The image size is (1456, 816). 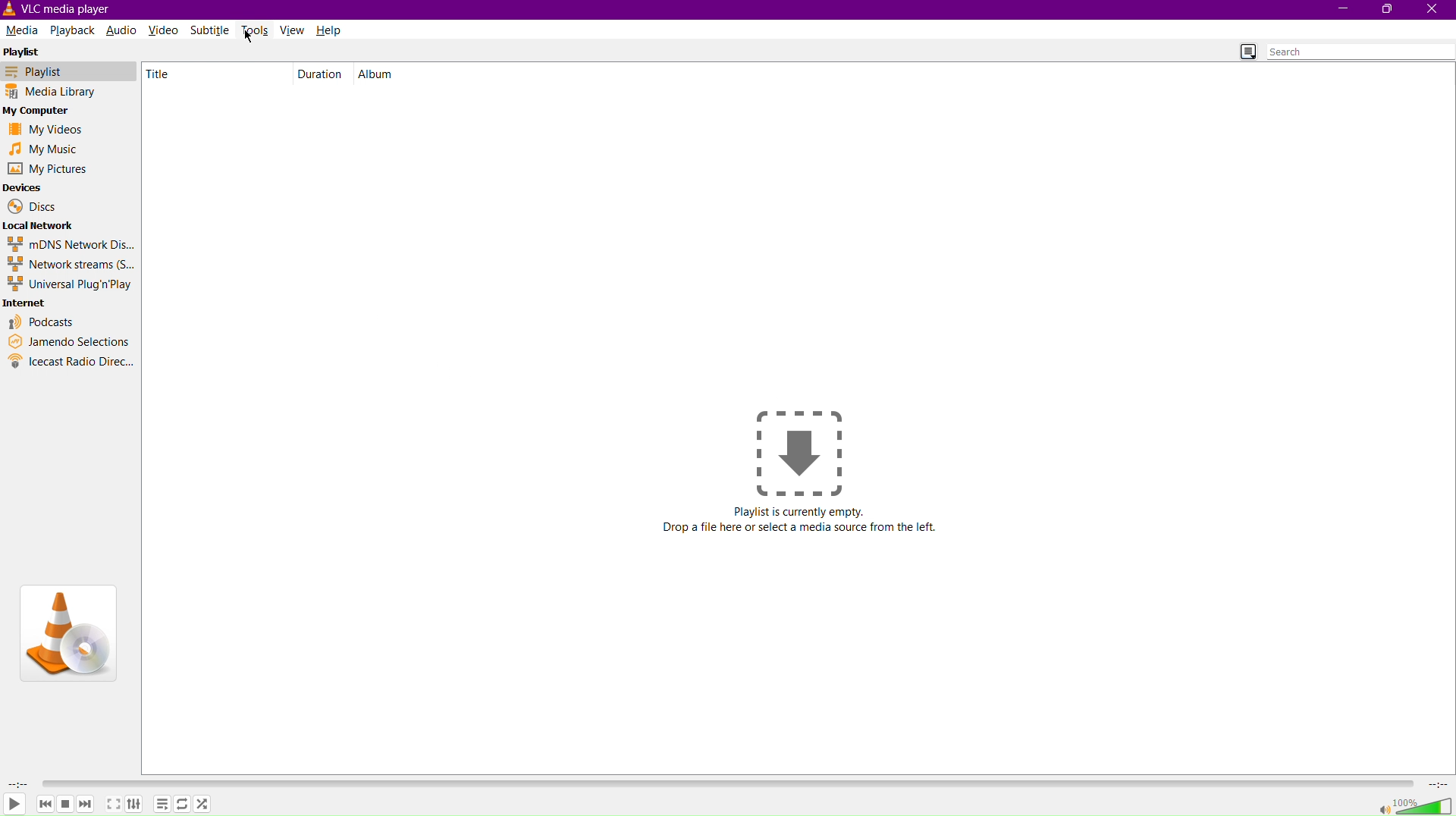 I want to click on Network streams, so click(x=71, y=265).